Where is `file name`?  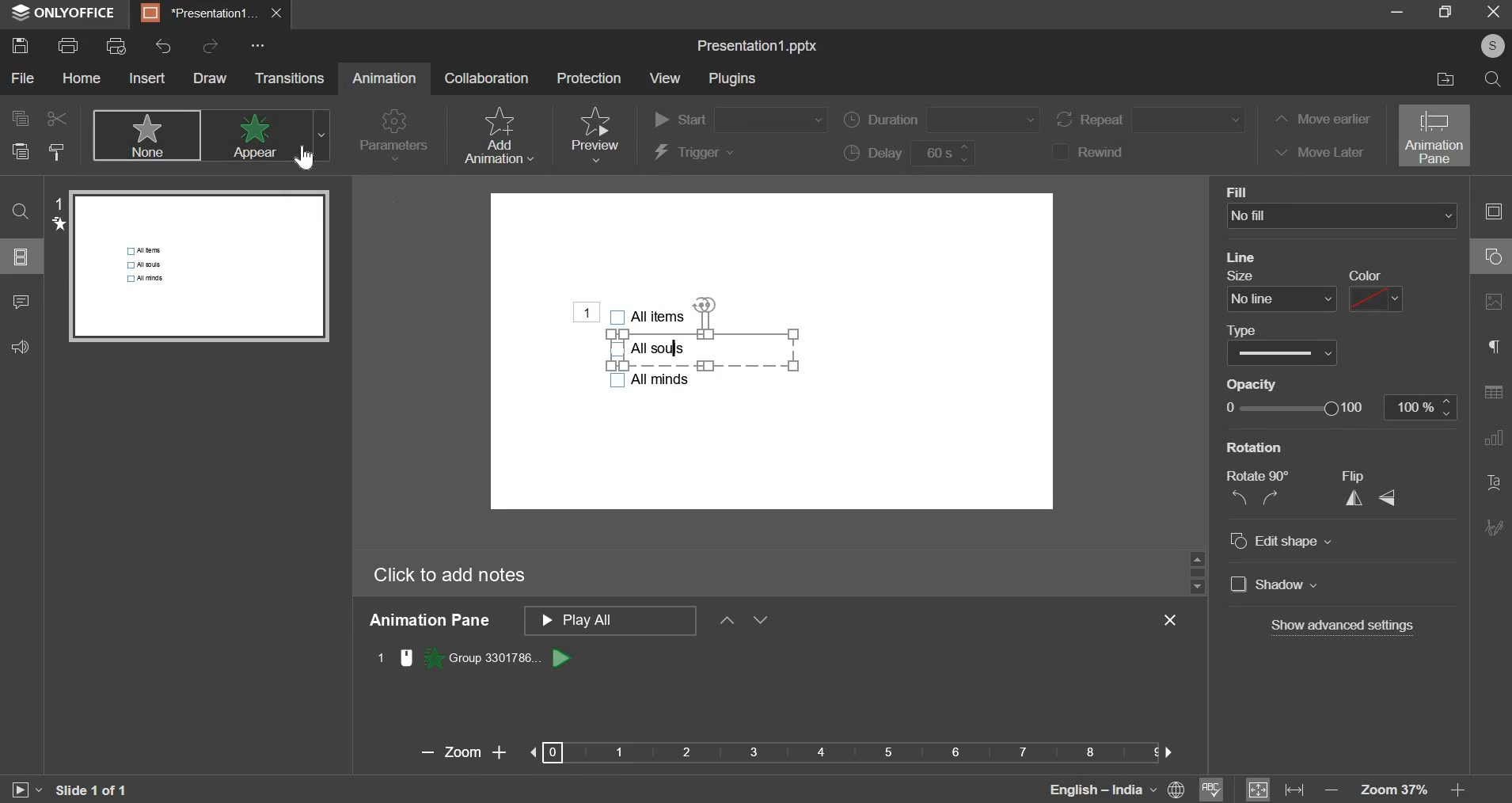
file name is located at coordinates (758, 47).